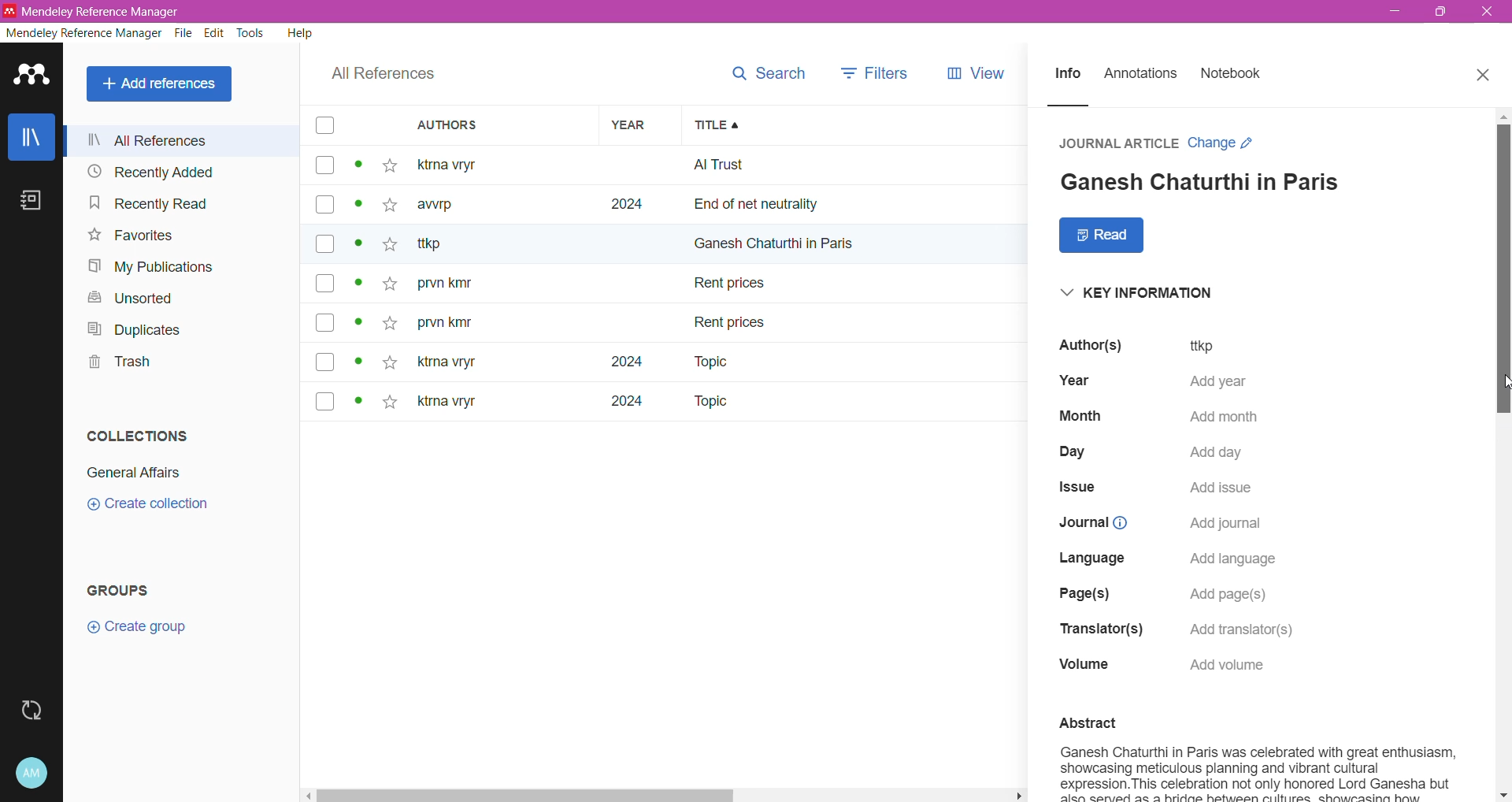  Describe the element at coordinates (184, 35) in the screenshot. I see `File` at that location.